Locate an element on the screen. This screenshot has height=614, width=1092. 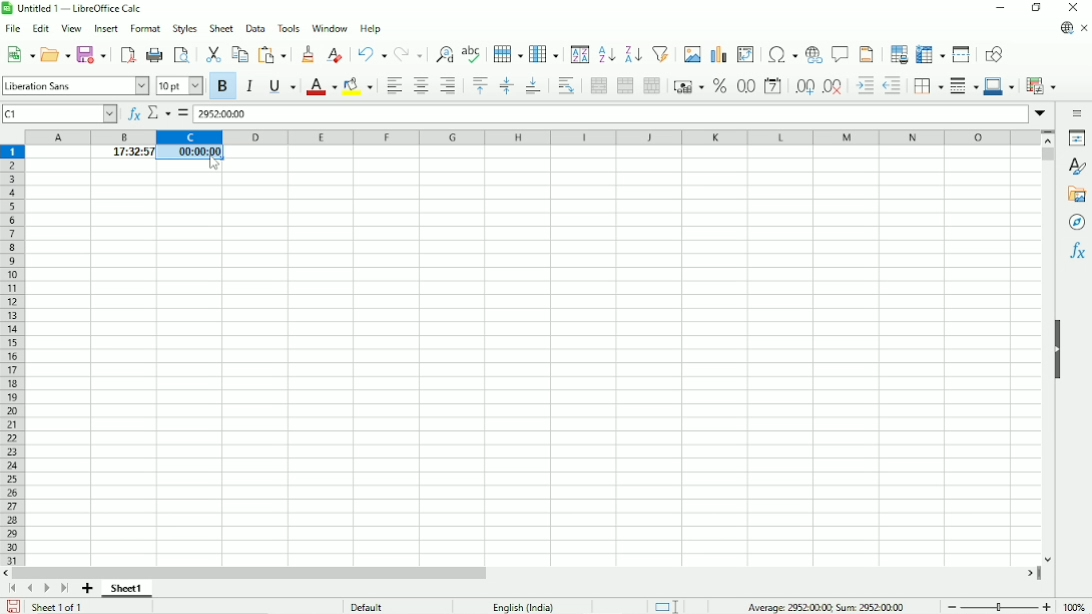
Format as date is located at coordinates (772, 86).